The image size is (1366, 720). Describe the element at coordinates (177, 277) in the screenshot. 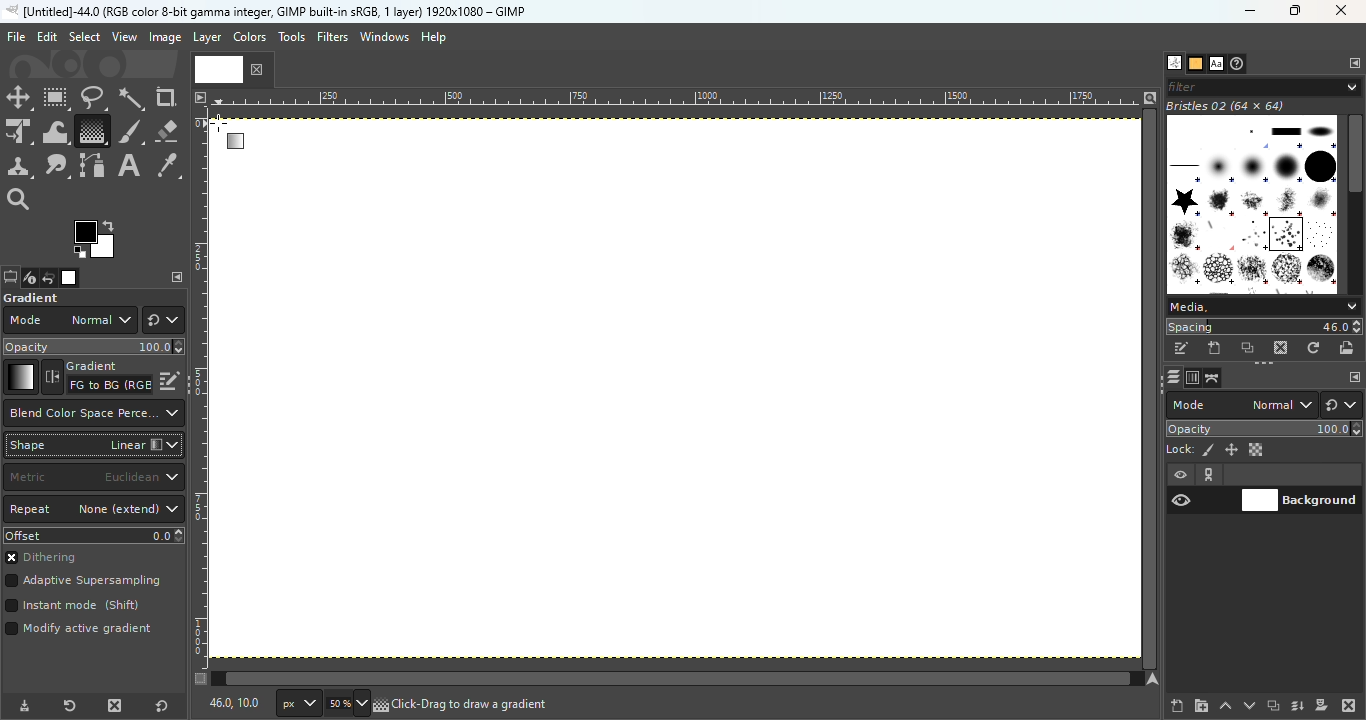

I see `Configure this tab` at that location.